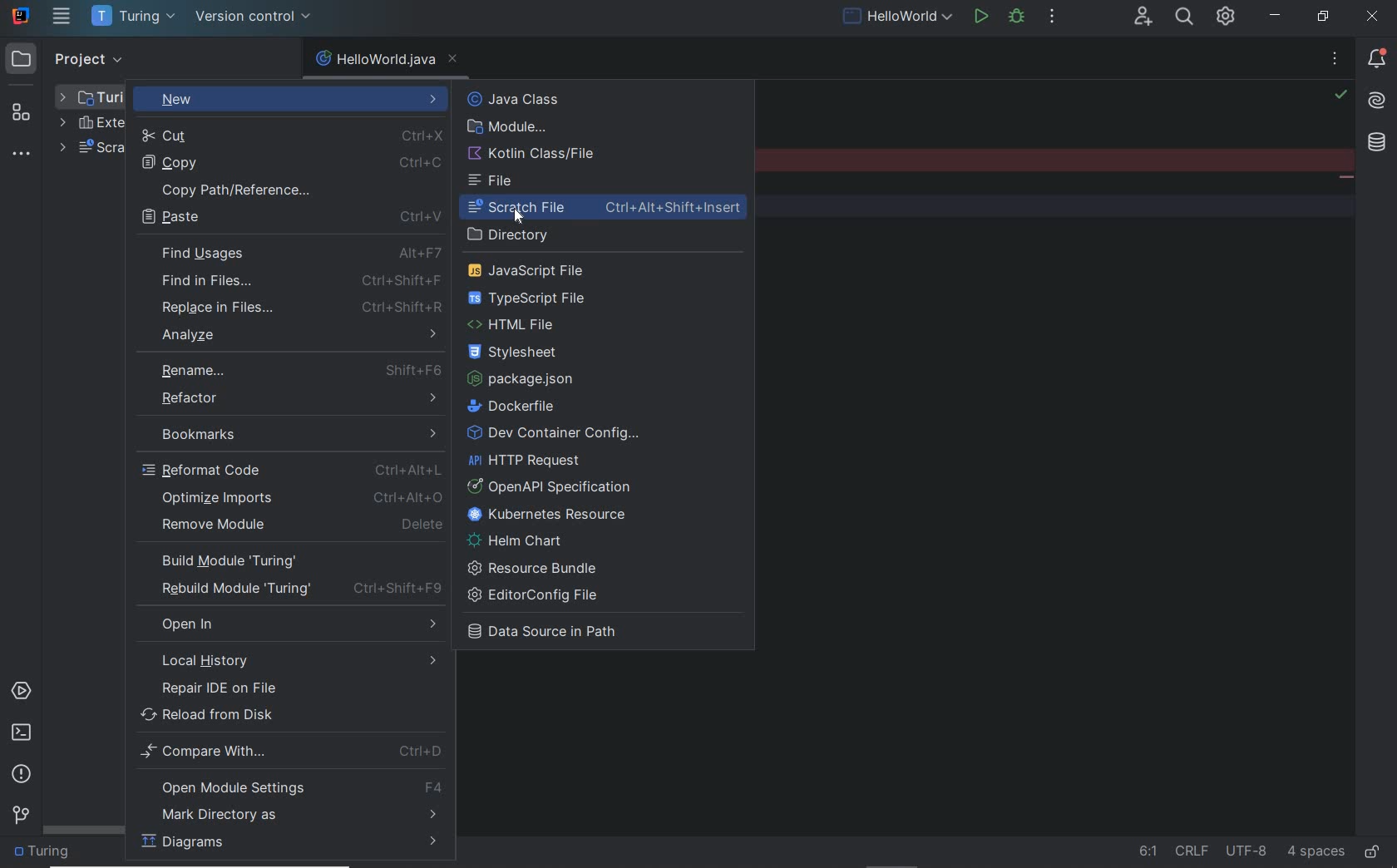 The height and width of the screenshot is (868, 1397). Describe the element at coordinates (288, 162) in the screenshot. I see `copy` at that location.